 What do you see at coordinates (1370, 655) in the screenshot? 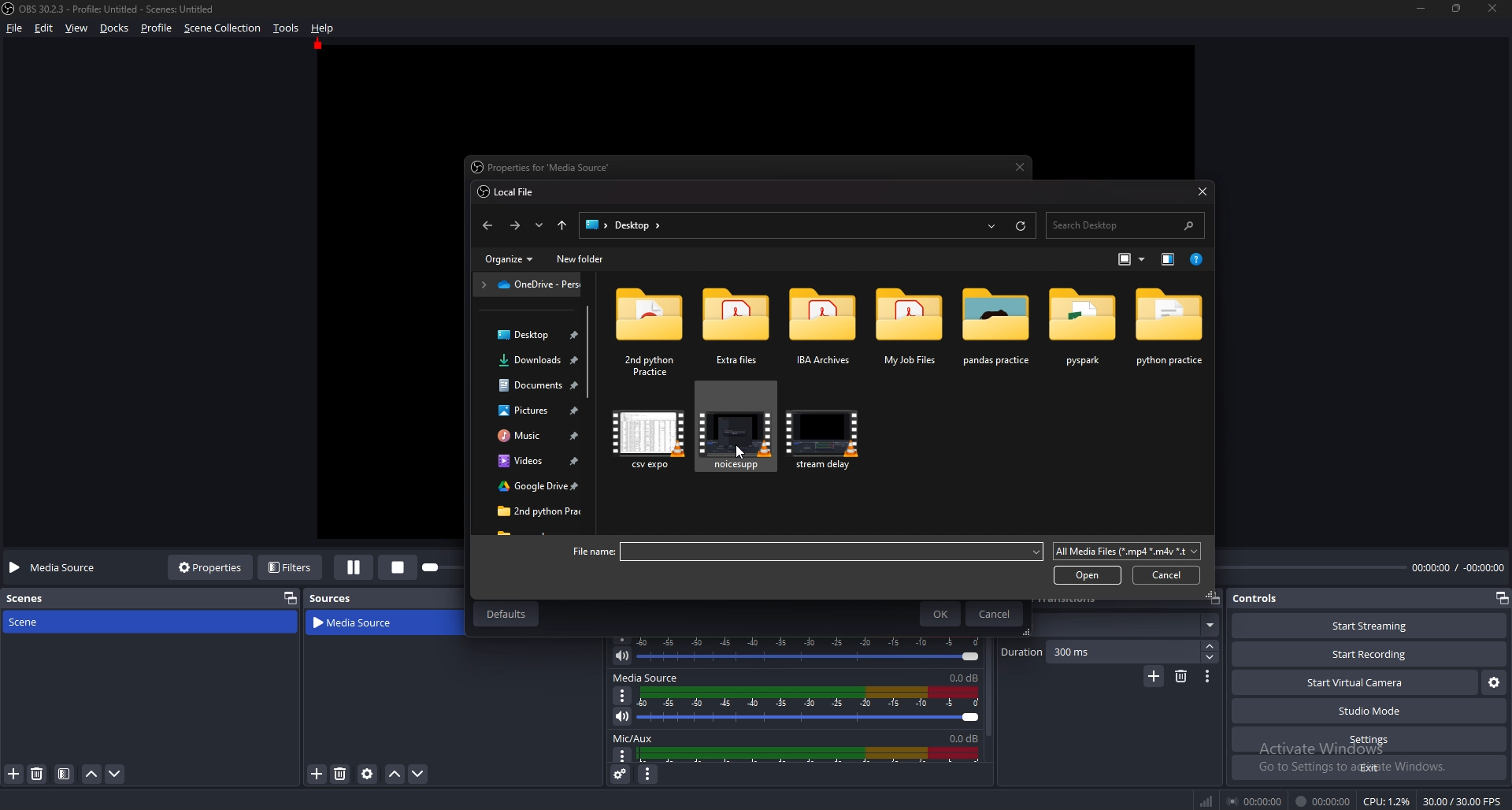
I see `Start recording` at bounding box center [1370, 655].